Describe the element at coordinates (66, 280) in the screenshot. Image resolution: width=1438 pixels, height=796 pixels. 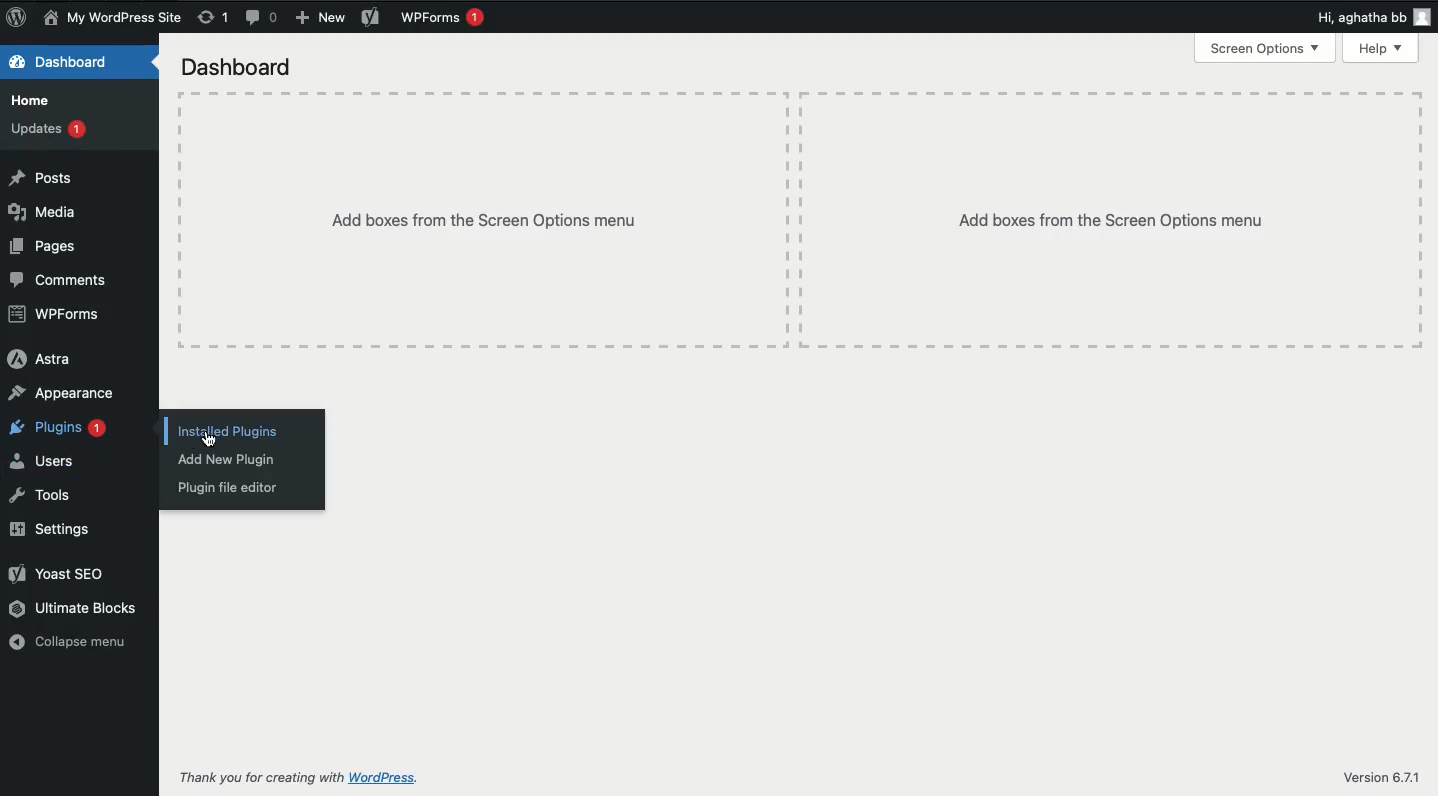
I see `Comments` at that location.